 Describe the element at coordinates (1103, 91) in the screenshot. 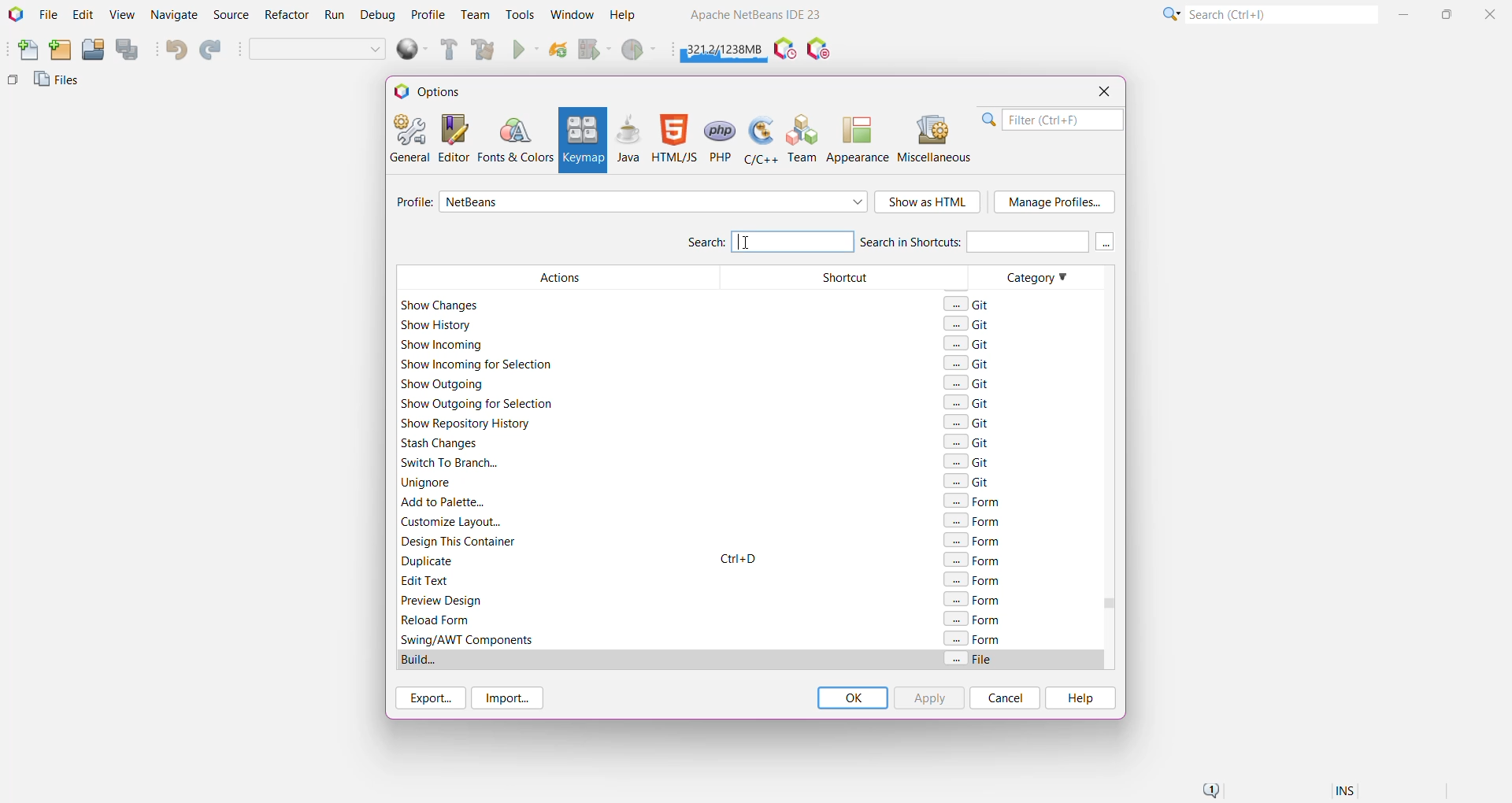

I see `Close` at that location.